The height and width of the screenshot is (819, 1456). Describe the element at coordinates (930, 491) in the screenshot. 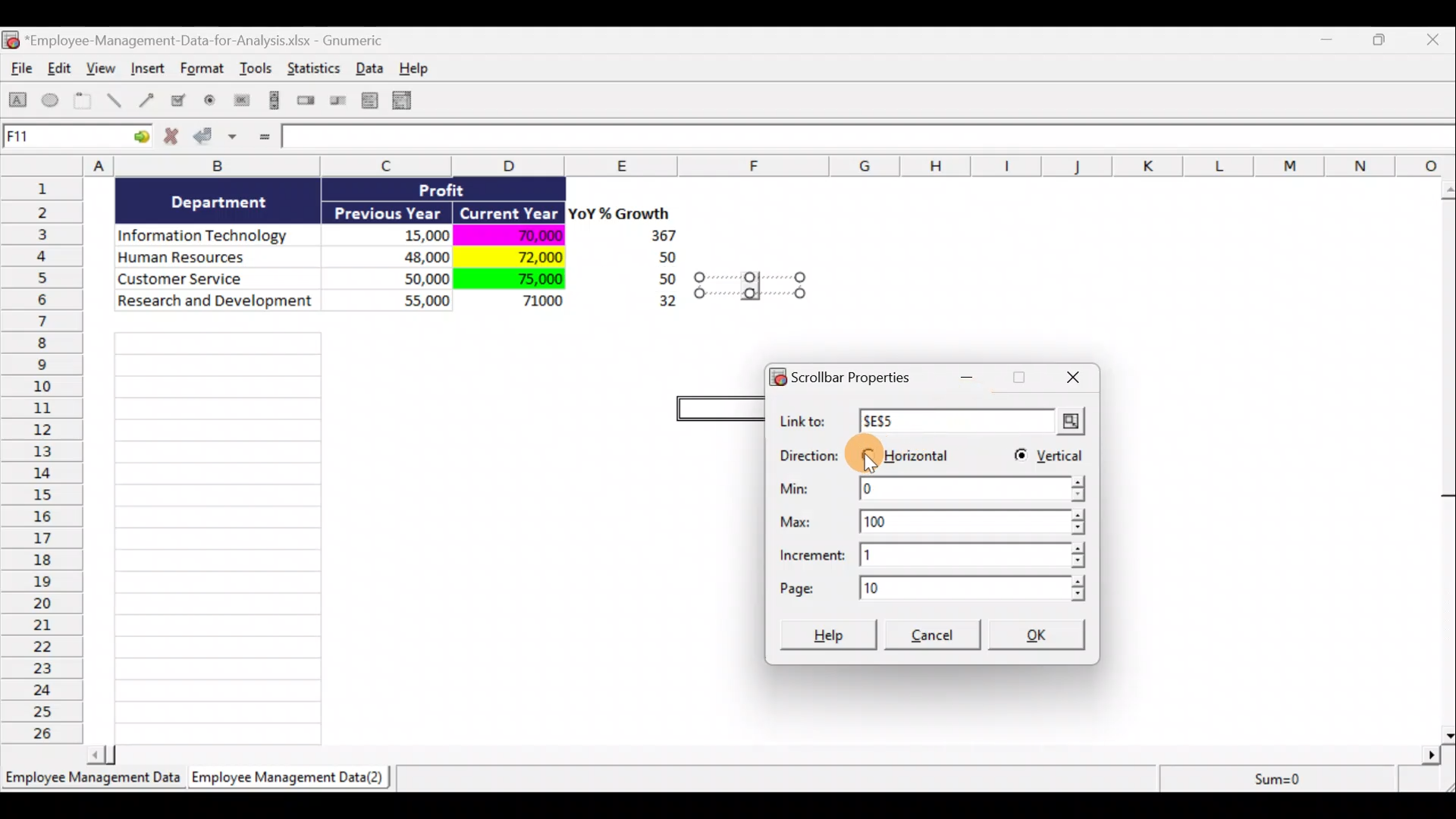

I see `Minimum value` at that location.